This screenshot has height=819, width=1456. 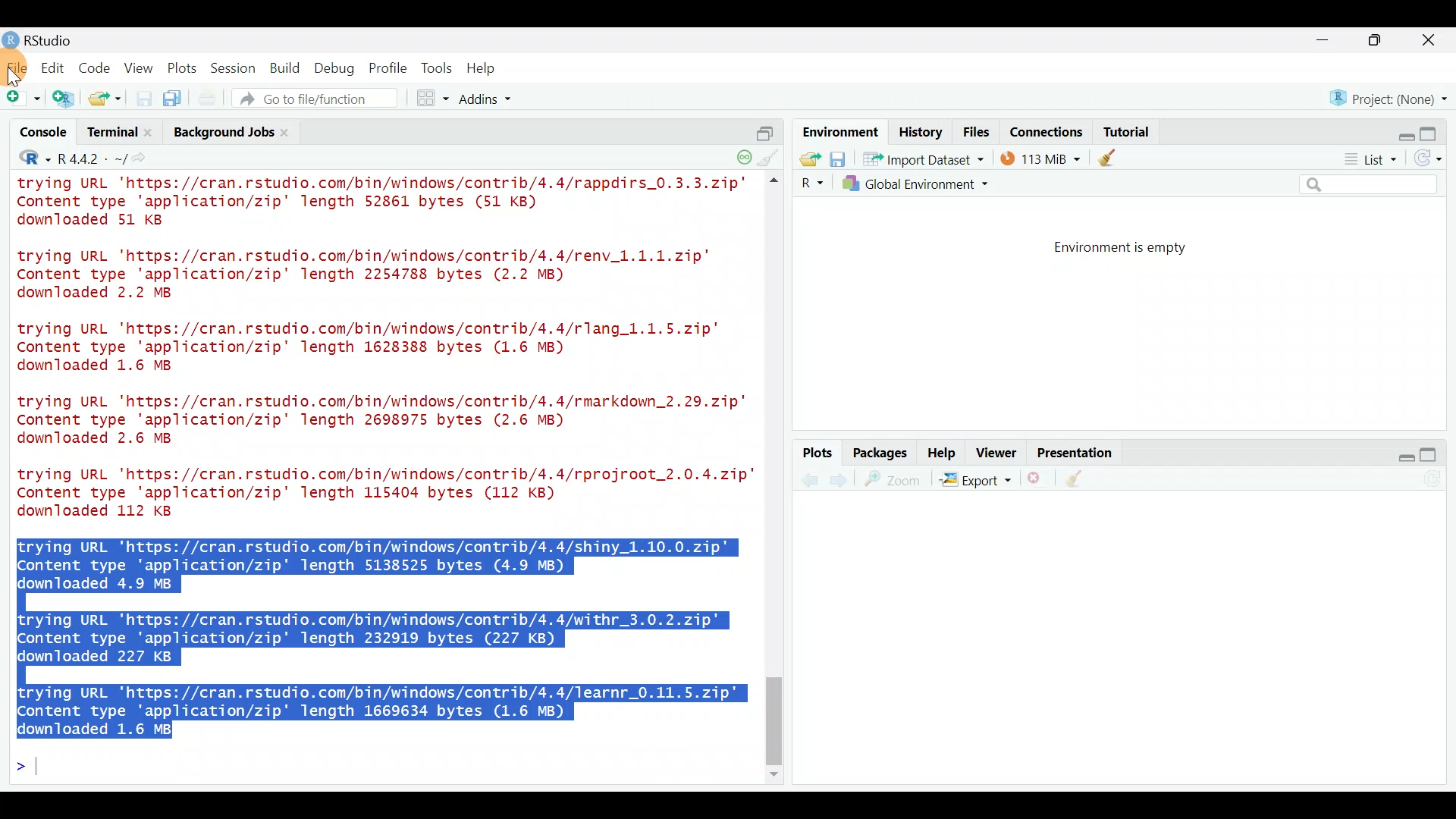 I want to click on Profile, so click(x=388, y=67).